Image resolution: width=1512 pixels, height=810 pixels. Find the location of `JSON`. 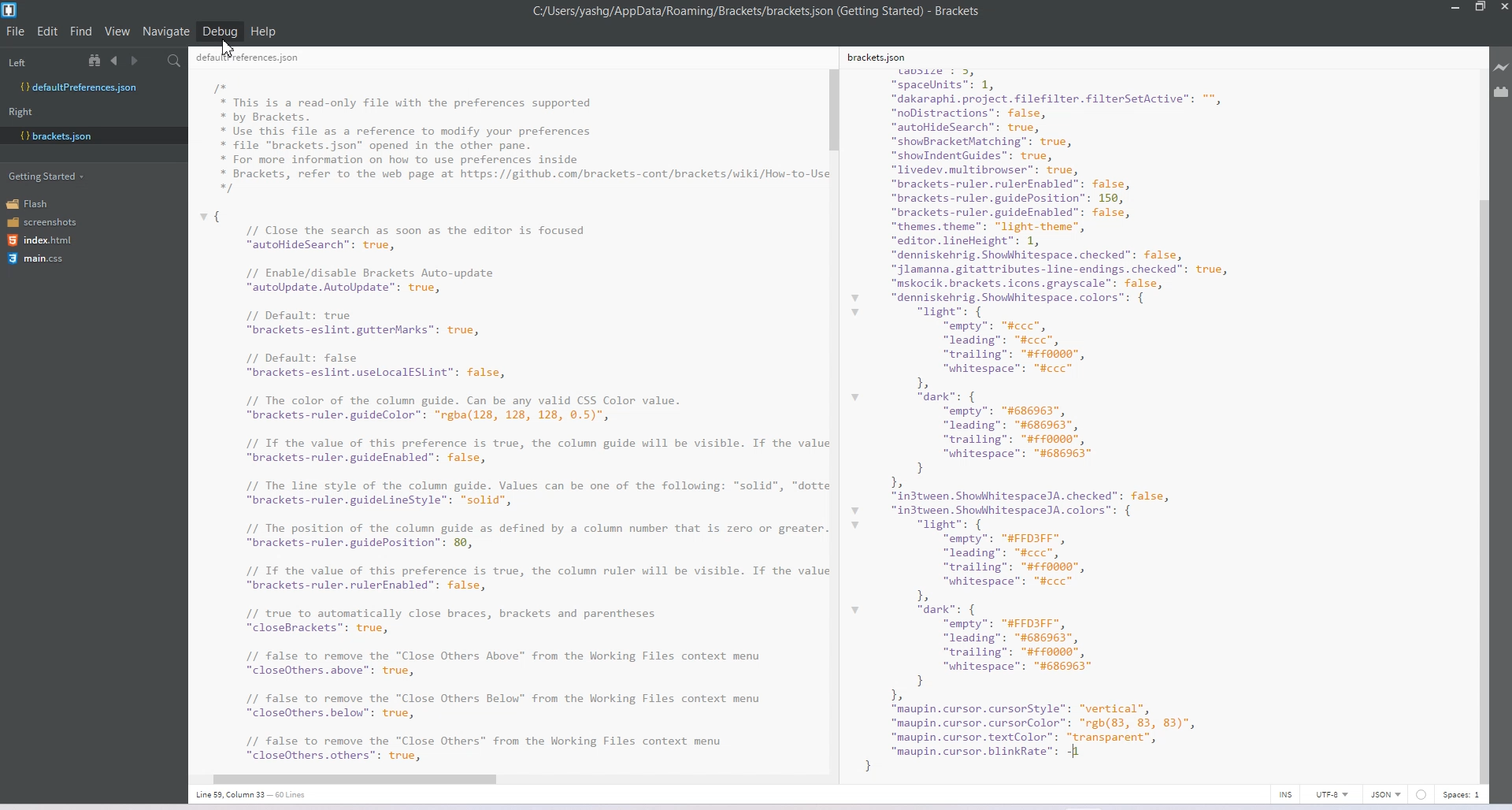

JSON is located at coordinates (1387, 794).